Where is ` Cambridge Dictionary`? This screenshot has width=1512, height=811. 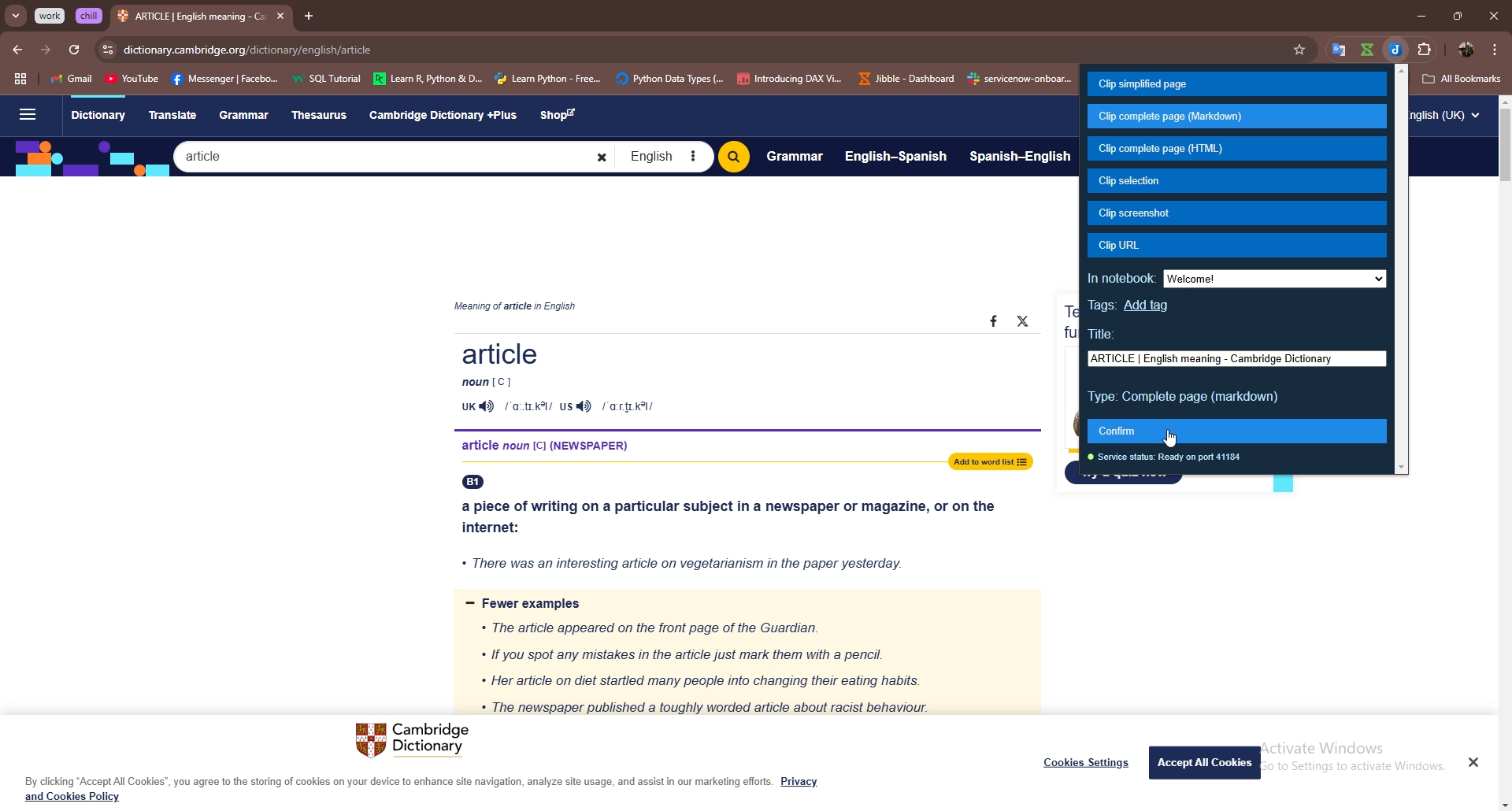  Cambridge Dictionary is located at coordinates (417, 742).